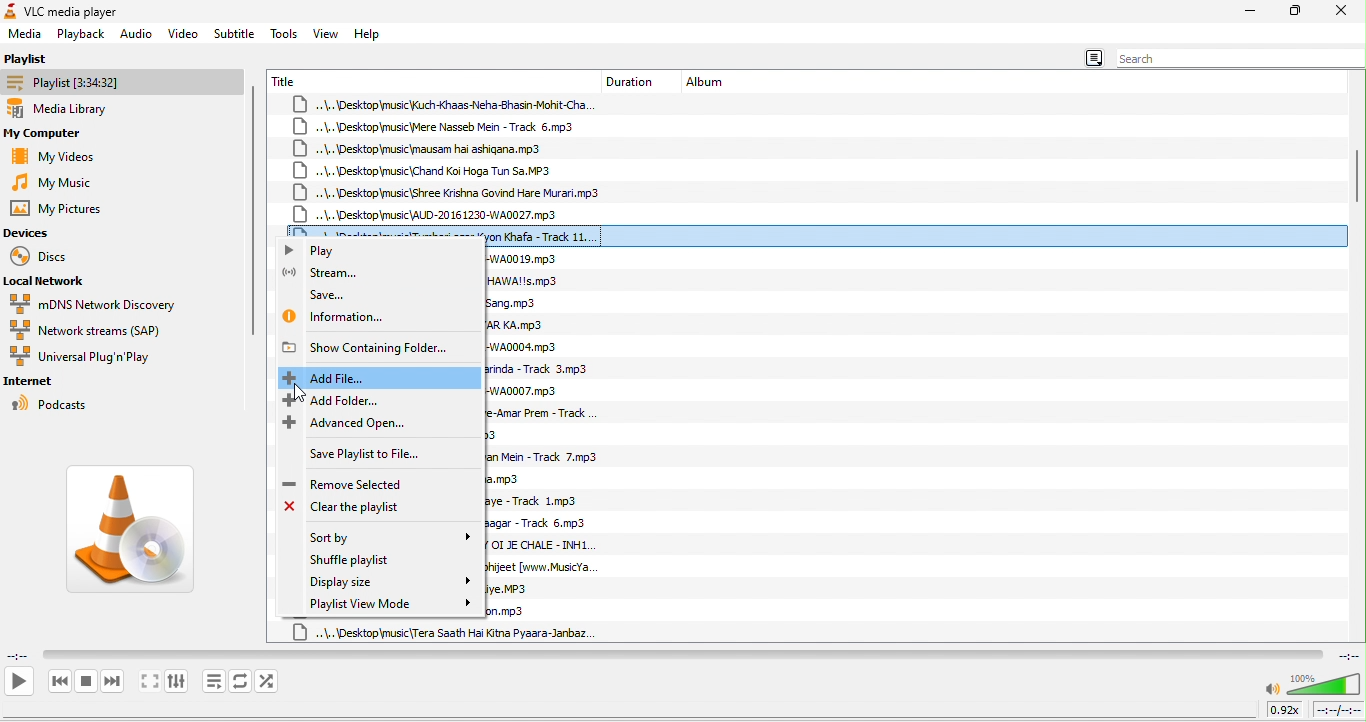 This screenshot has height=722, width=1366. What do you see at coordinates (140, 535) in the screenshot?
I see `vlc media image` at bounding box center [140, 535].